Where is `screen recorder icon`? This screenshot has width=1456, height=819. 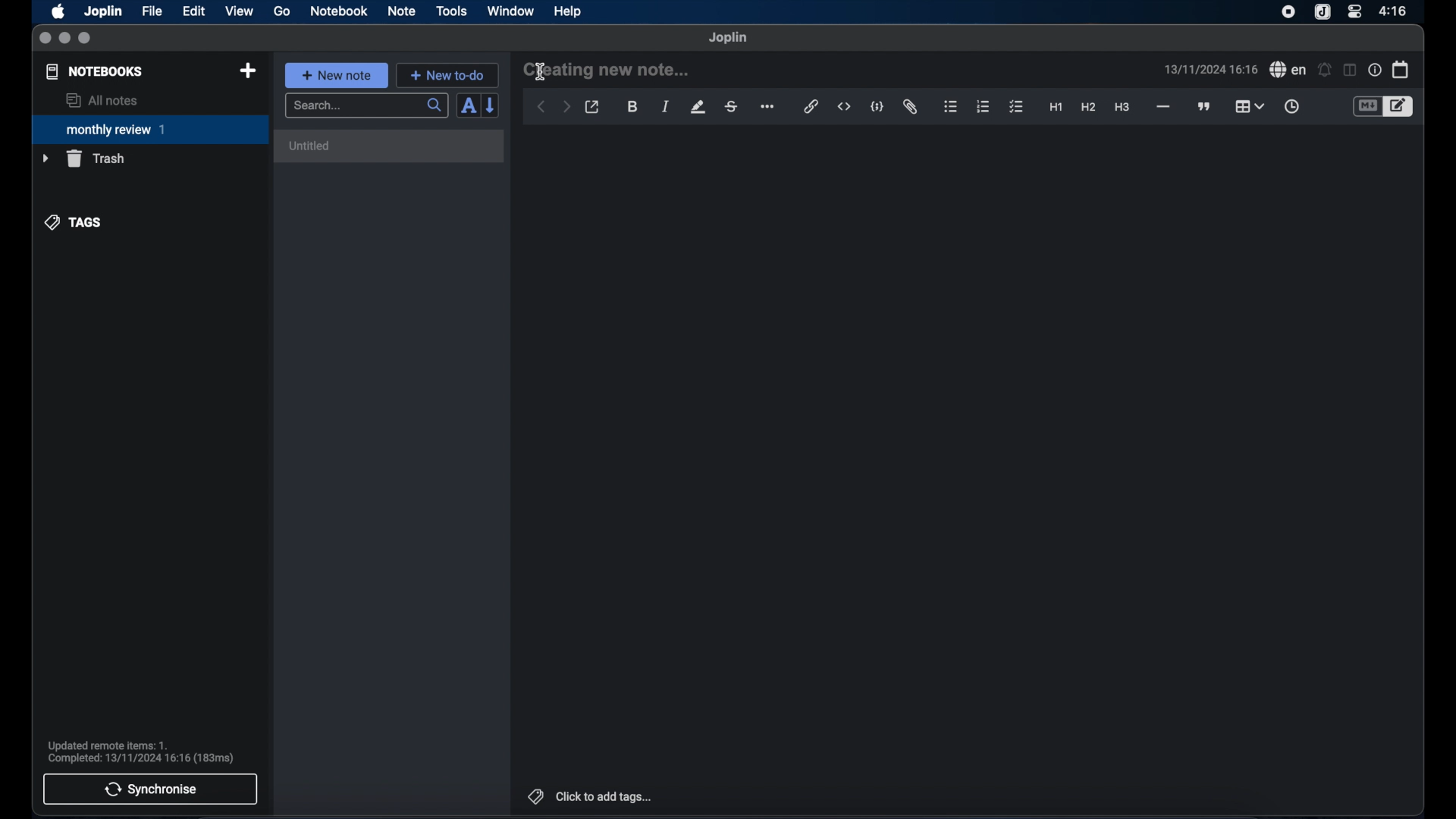
screen recorder icon is located at coordinates (1288, 12).